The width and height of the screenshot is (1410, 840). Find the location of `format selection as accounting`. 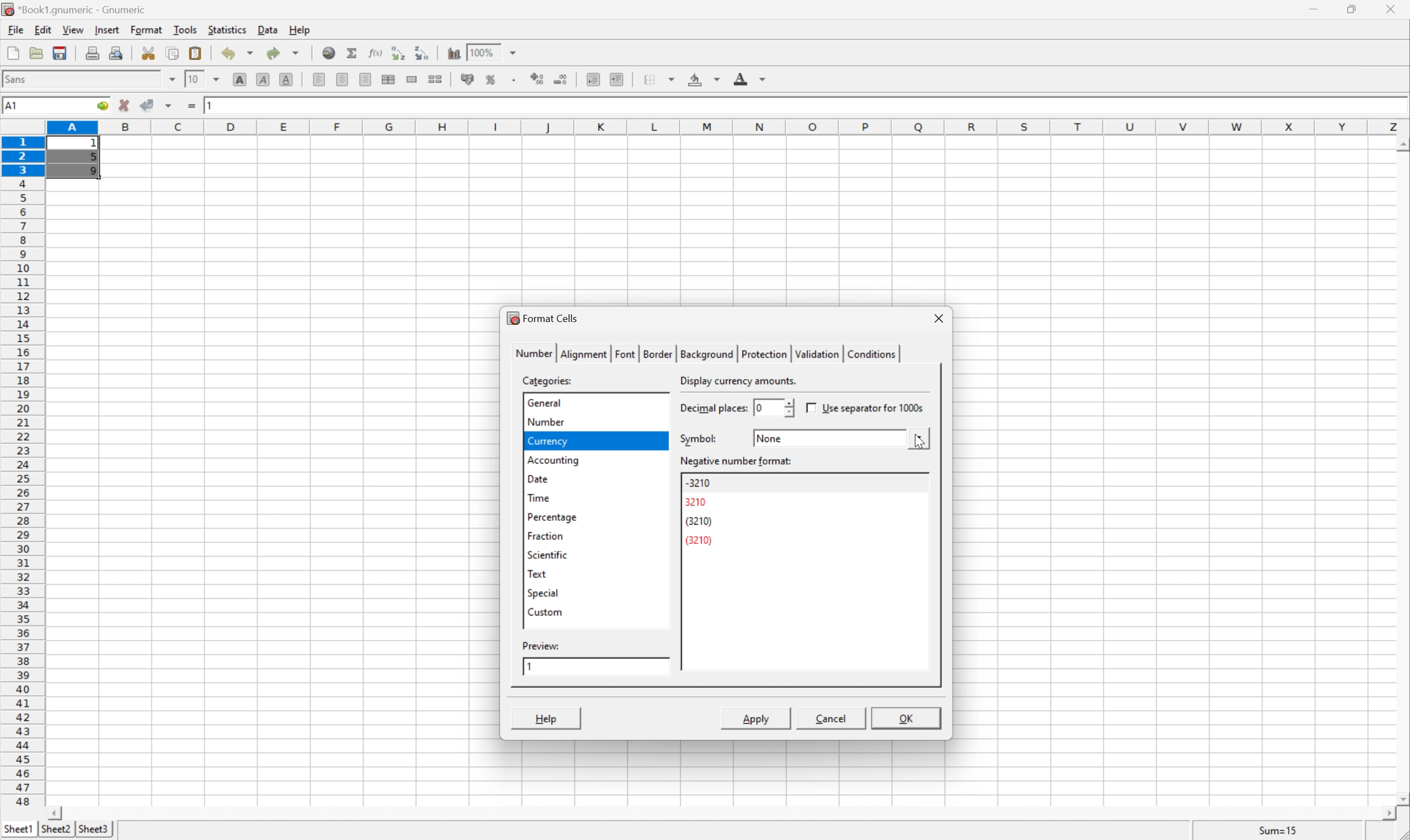

format selection as accounting is located at coordinates (468, 79).